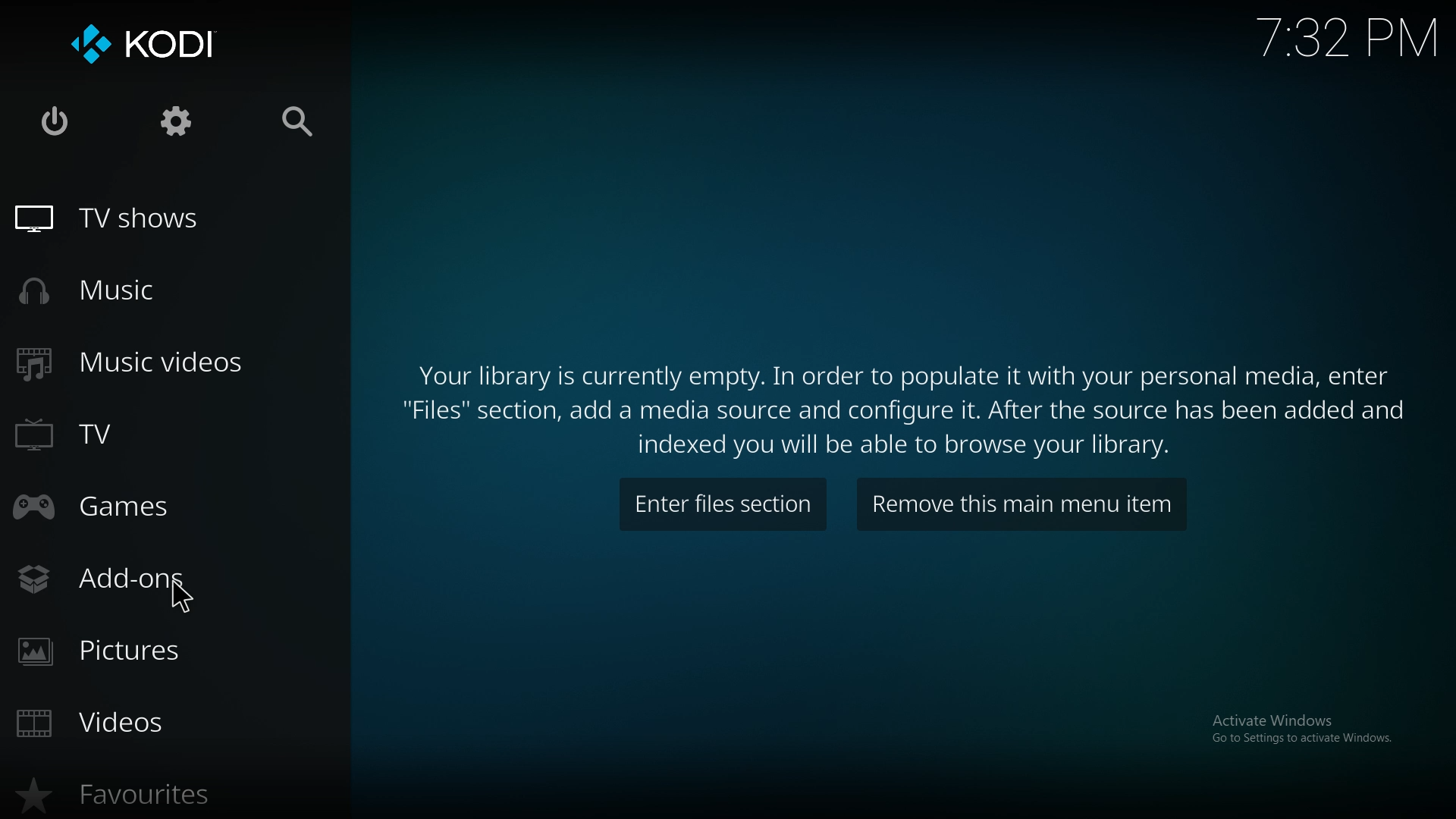 This screenshot has width=1456, height=819. What do you see at coordinates (142, 651) in the screenshot?
I see `pictures` at bounding box center [142, 651].